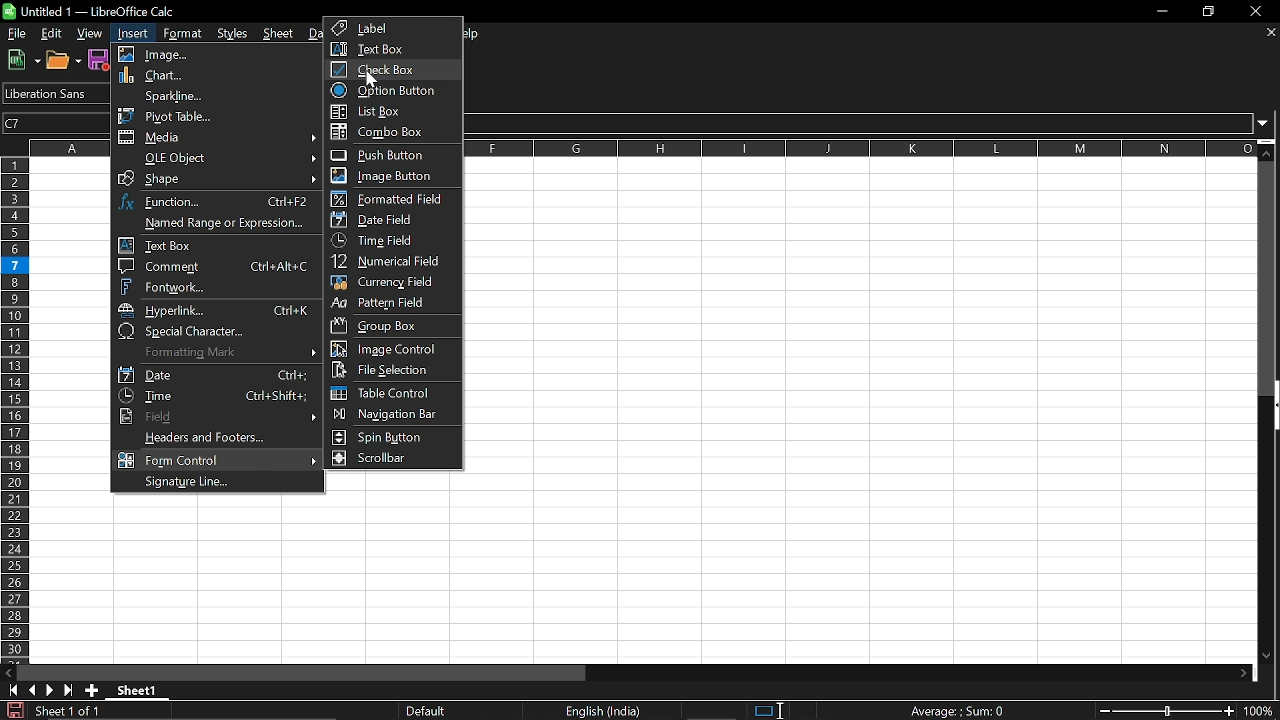 The image size is (1280, 720). I want to click on Rows, so click(14, 410).